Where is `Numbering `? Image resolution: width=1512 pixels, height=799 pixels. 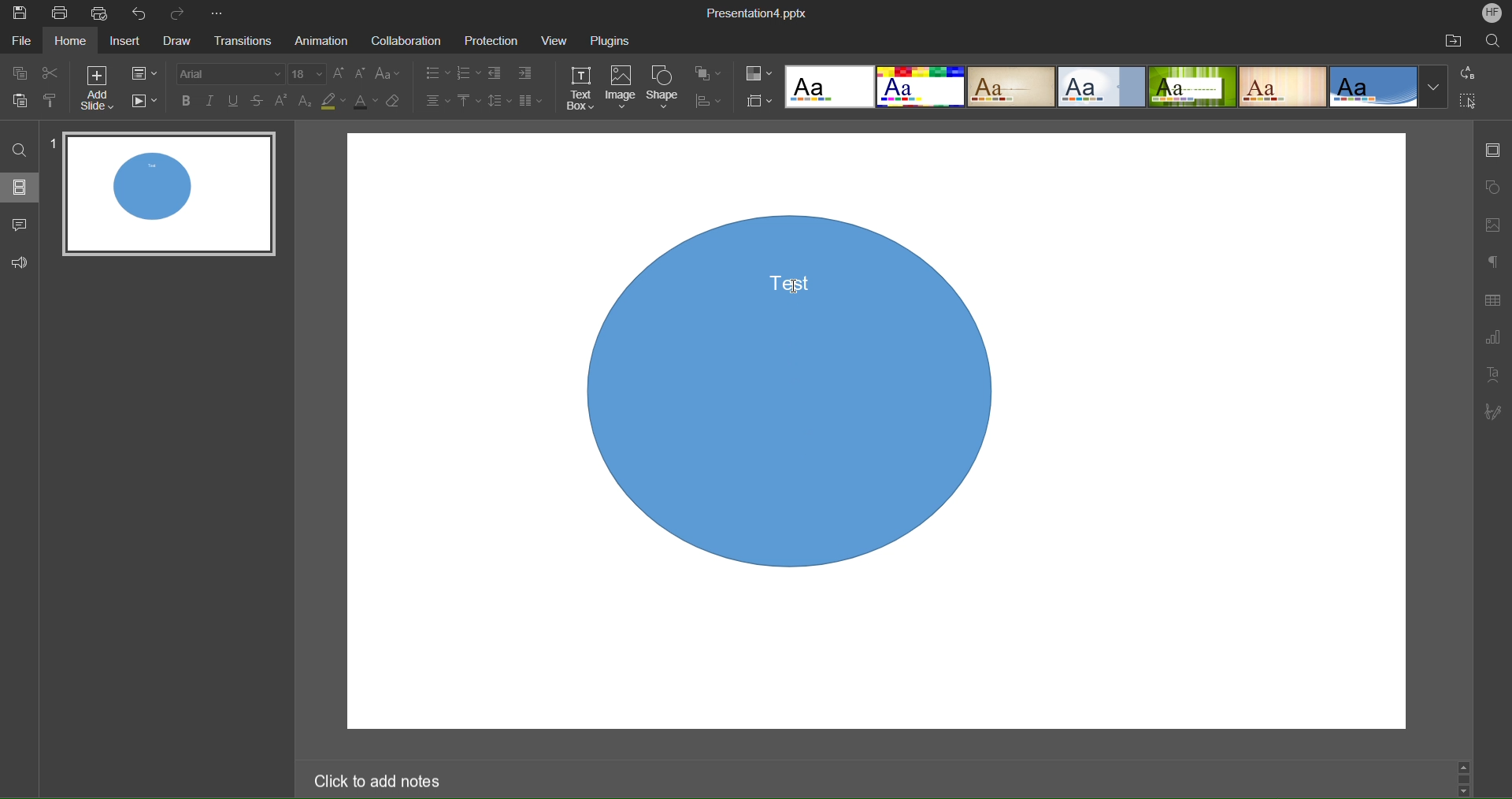 Numbering  is located at coordinates (470, 72).